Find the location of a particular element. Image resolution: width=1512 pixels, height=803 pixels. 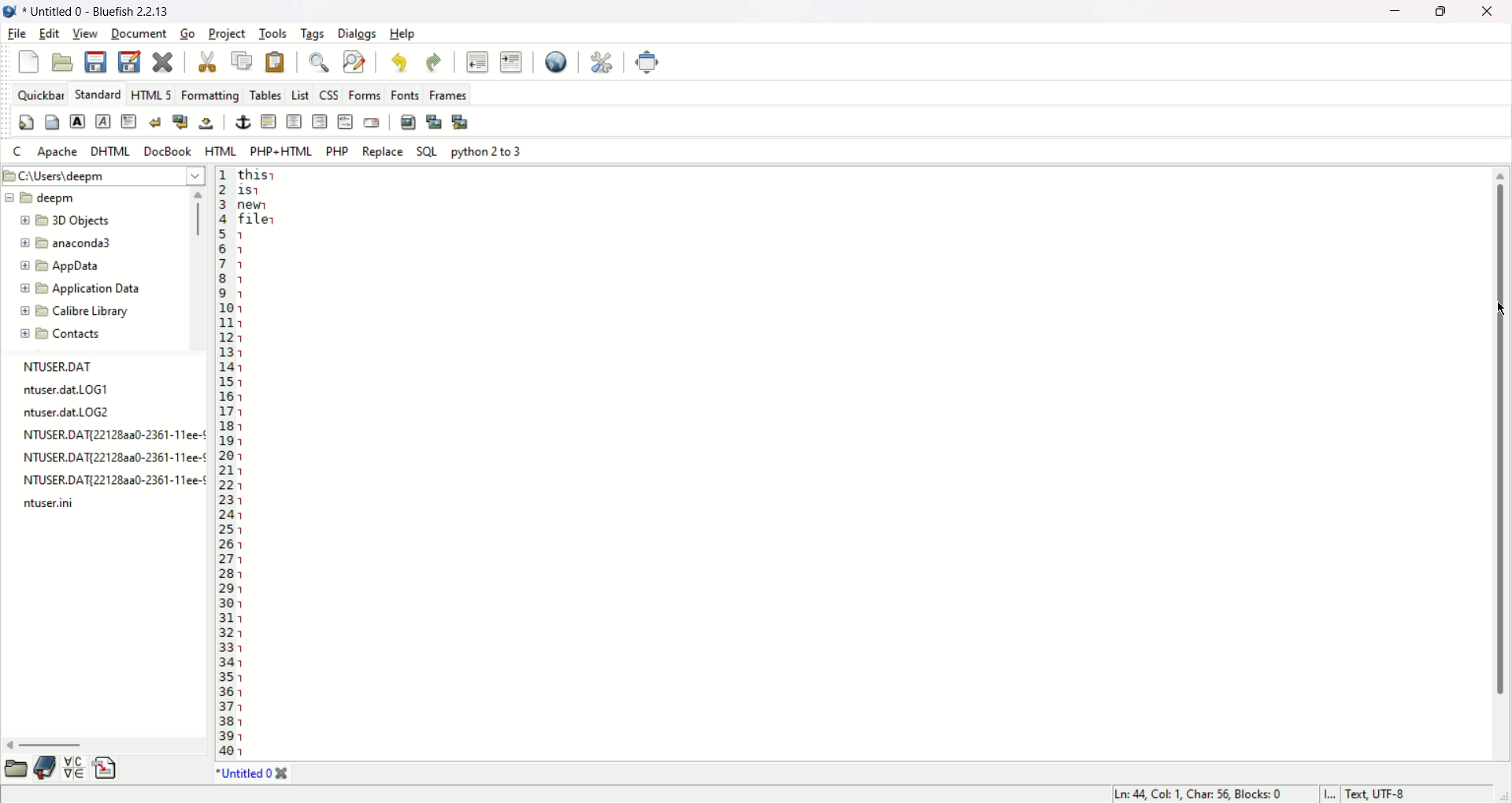

document is located at coordinates (139, 35).